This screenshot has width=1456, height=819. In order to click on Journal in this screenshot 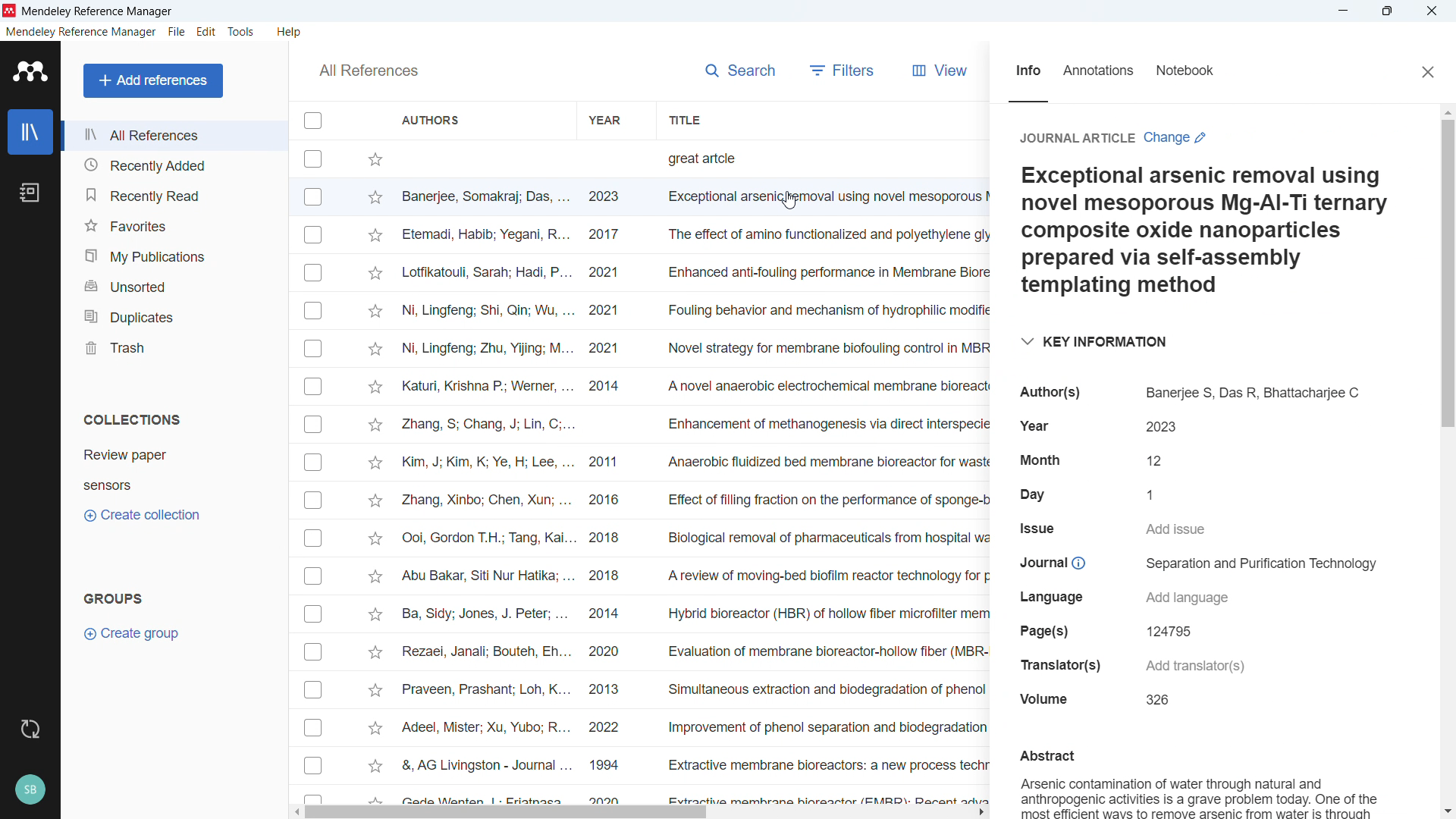, I will do `click(1042, 563)`.